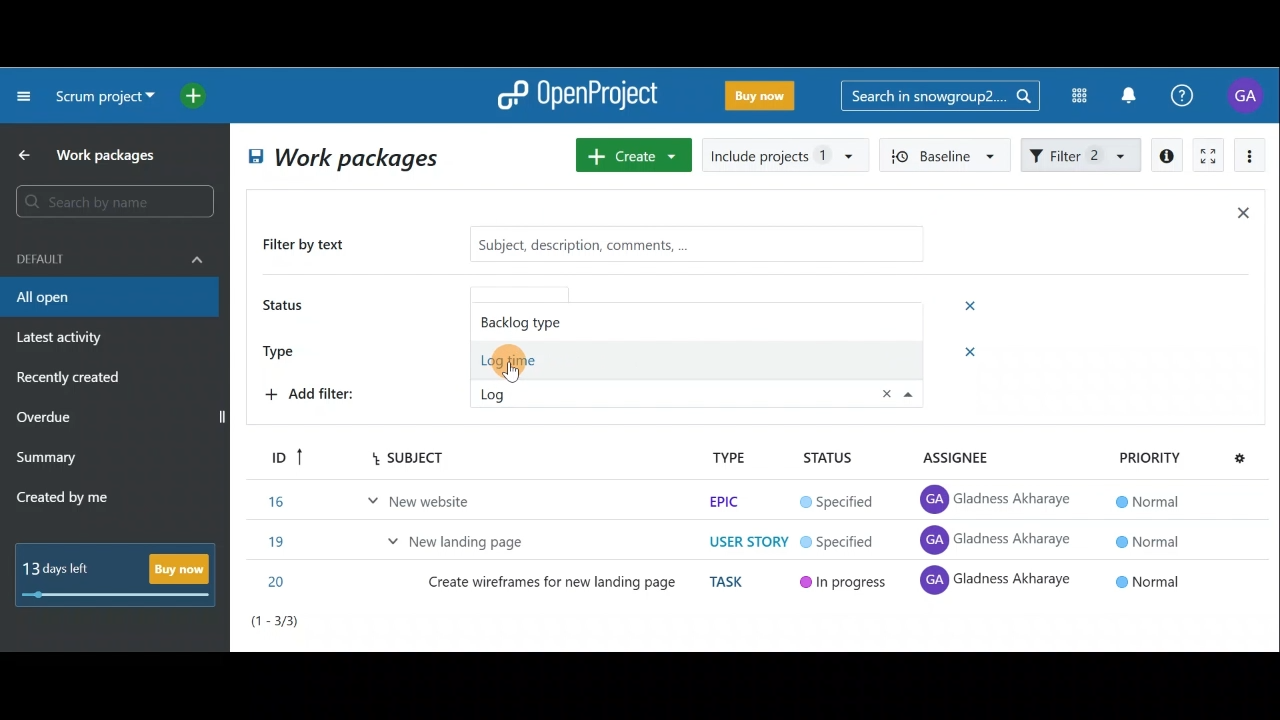 The height and width of the screenshot is (720, 1280). Describe the element at coordinates (71, 380) in the screenshot. I see `Recently created` at that location.